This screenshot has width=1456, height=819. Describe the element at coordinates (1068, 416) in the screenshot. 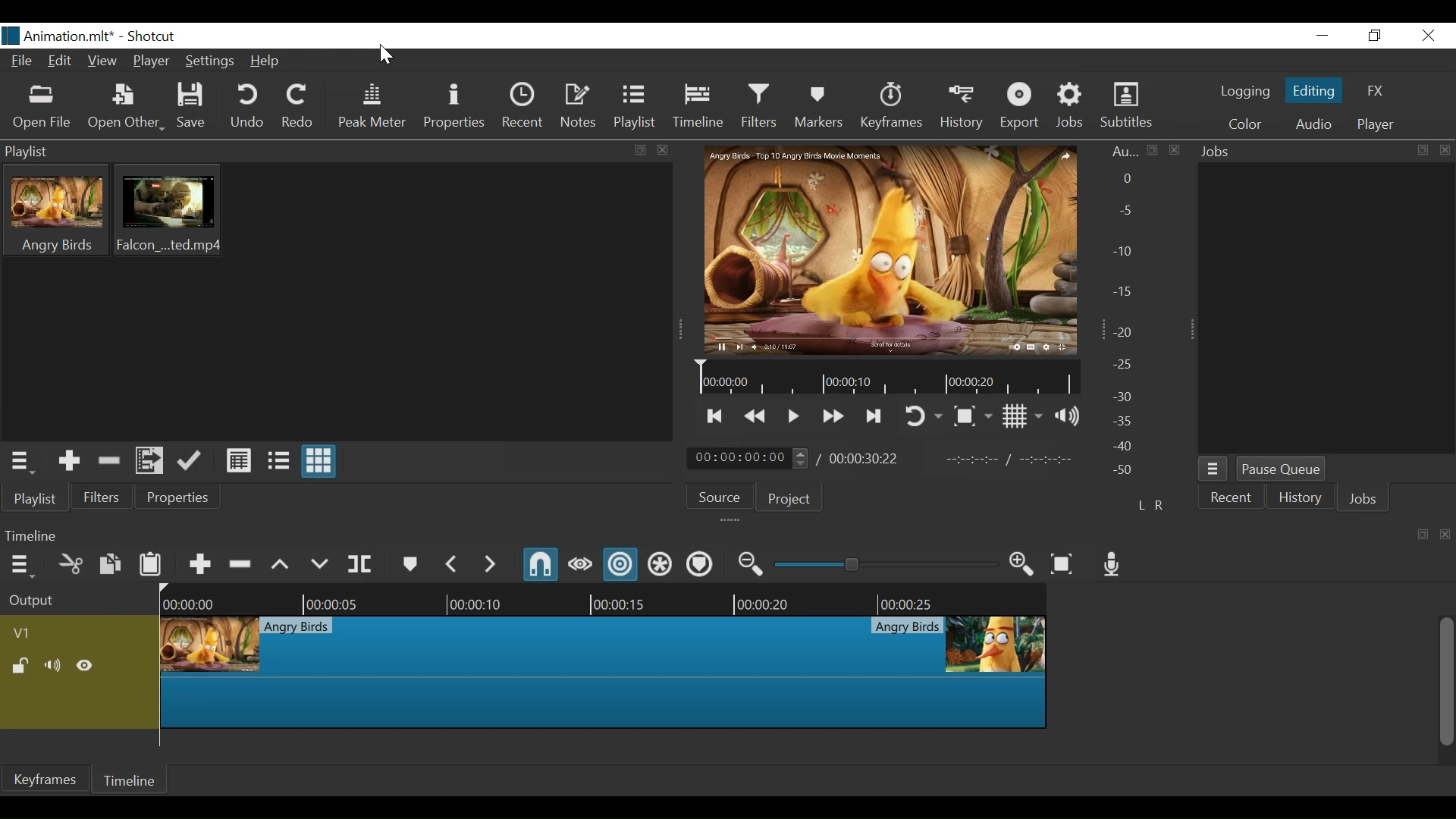

I see `Show volume control` at that location.